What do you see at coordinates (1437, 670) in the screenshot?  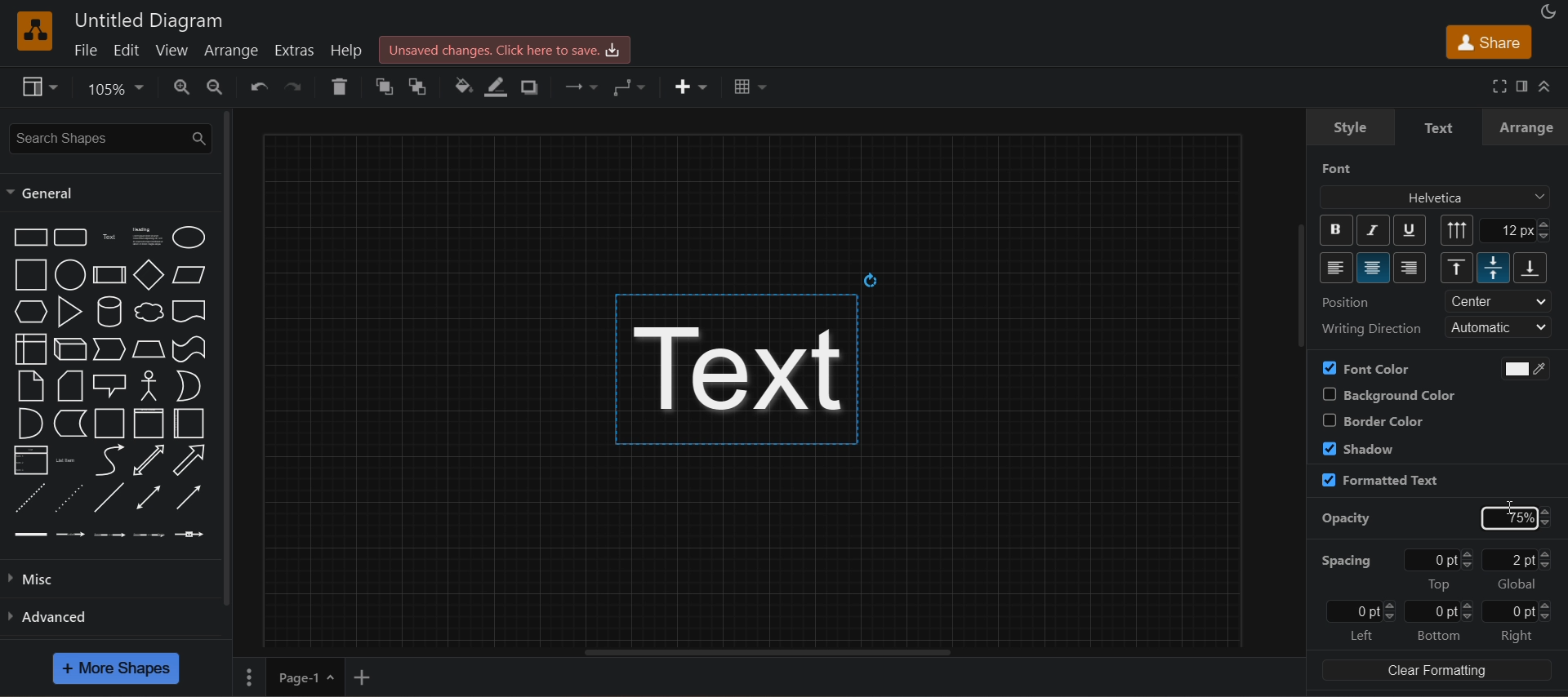 I see `clear formatting` at bounding box center [1437, 670].